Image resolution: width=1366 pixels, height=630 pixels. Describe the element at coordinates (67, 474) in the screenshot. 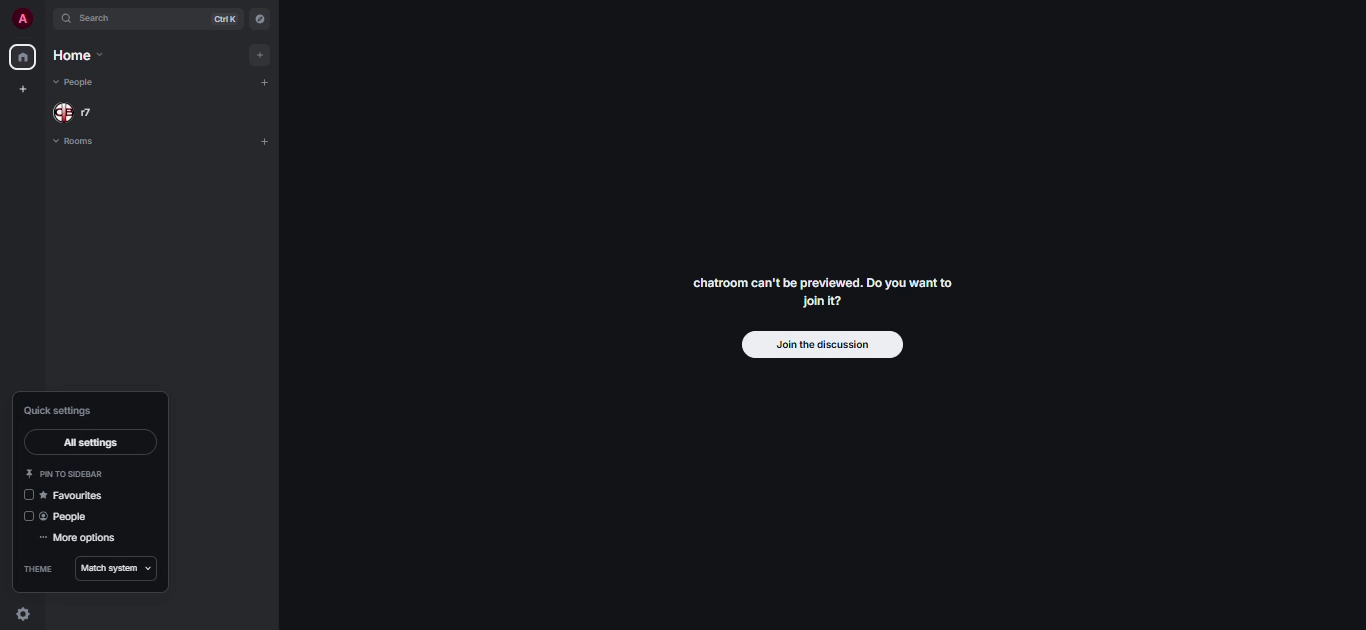

I see `pin to sidebar` at that location.